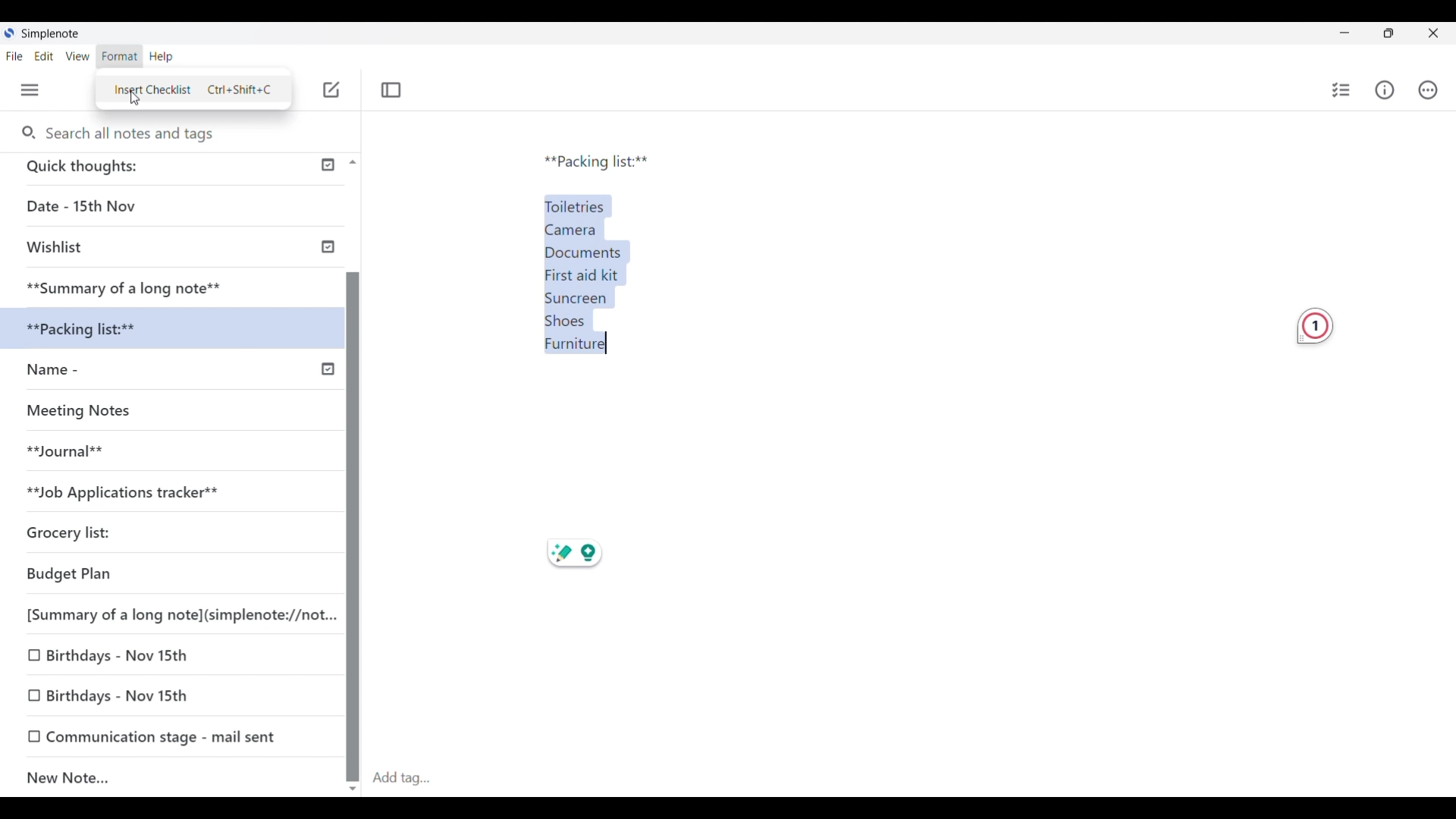  I want to click on New note added, so click(158, 778).